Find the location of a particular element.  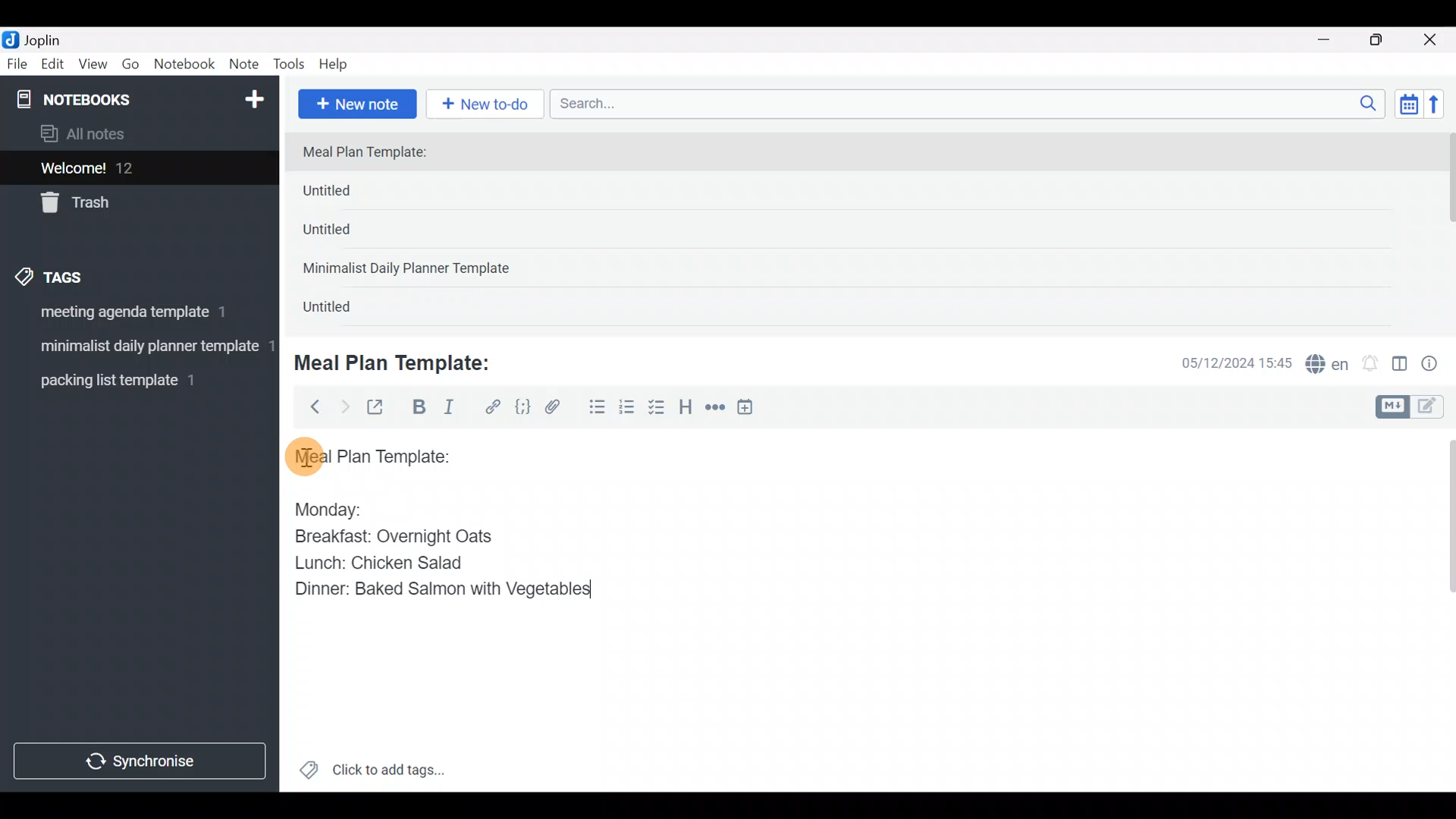

Untitled is located at coordinates (344, 310).